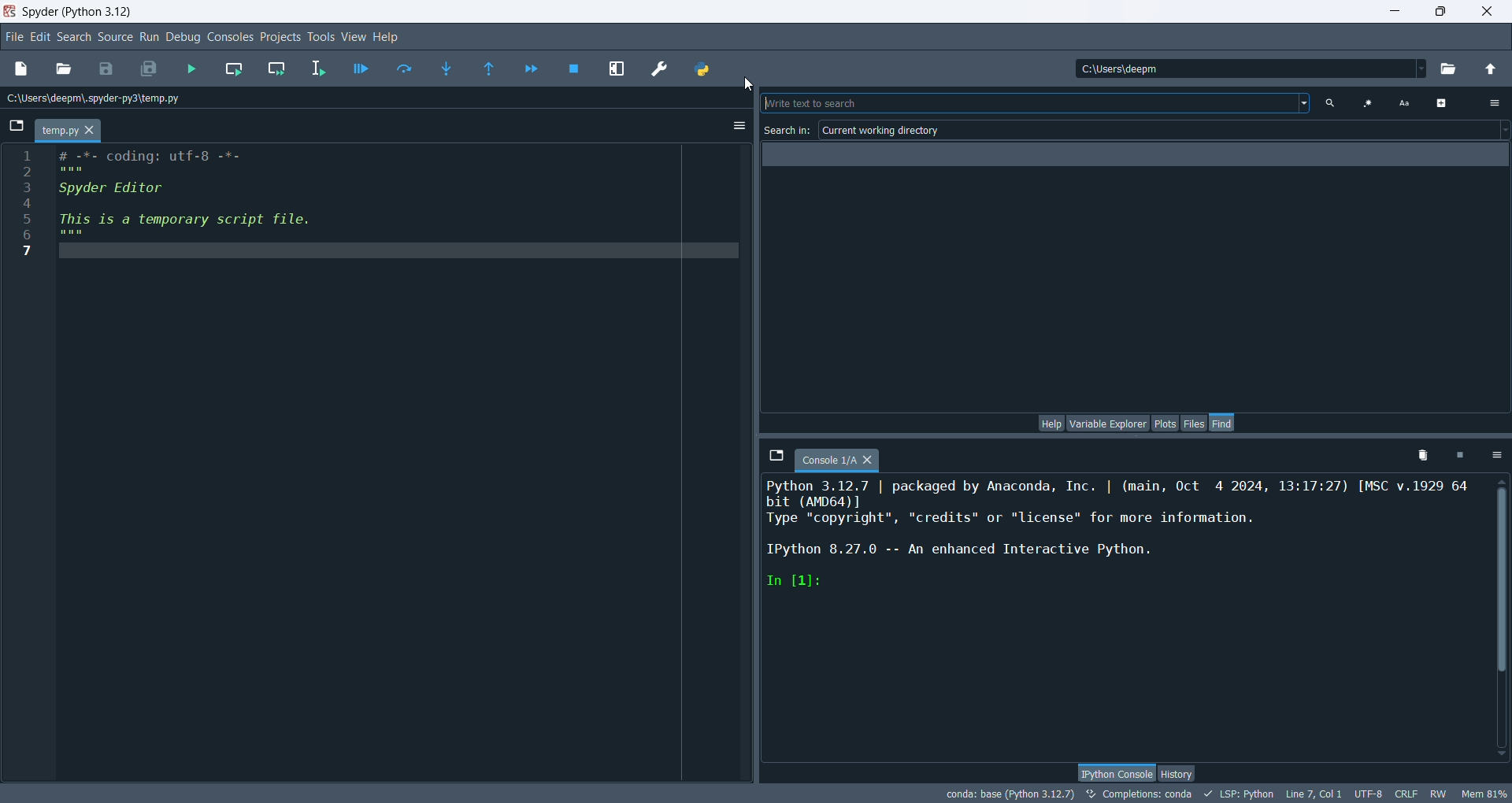  I want to click on source, so click(115, 37).